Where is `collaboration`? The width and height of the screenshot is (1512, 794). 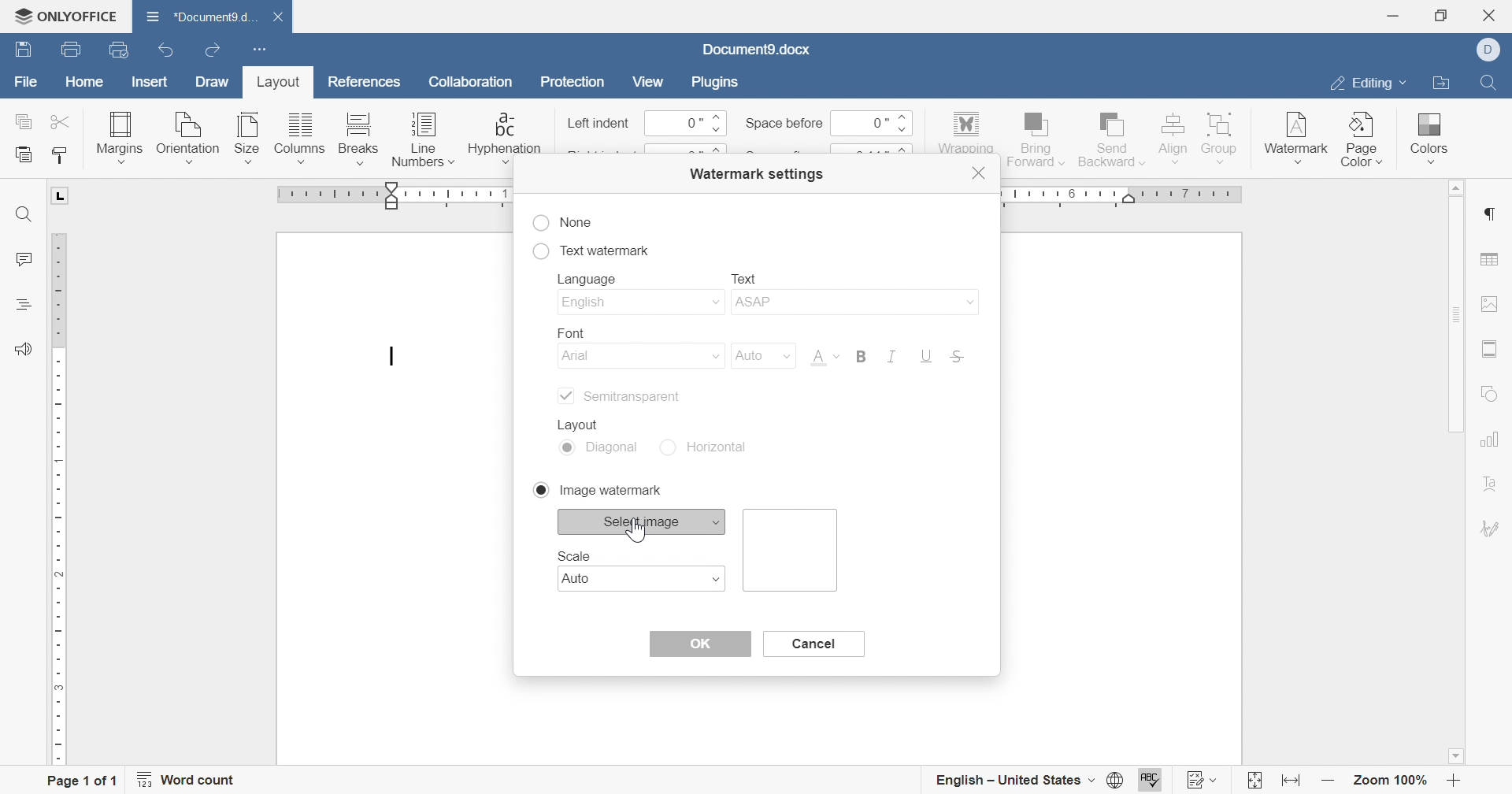 collaboration is located at coordinates (473, 86).